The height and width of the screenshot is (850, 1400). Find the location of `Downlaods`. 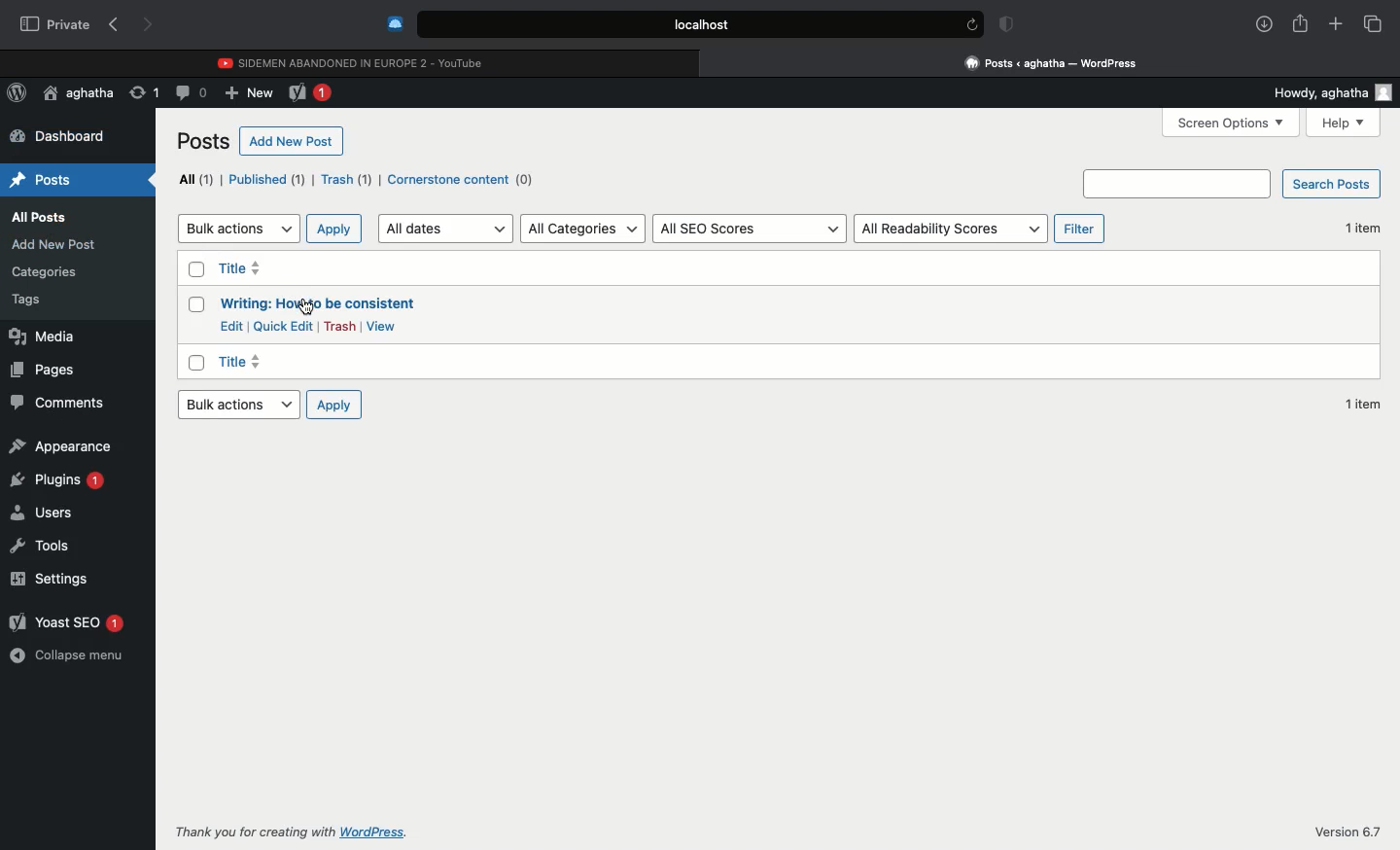

Downlaods is located at coordinates (1261, 25).